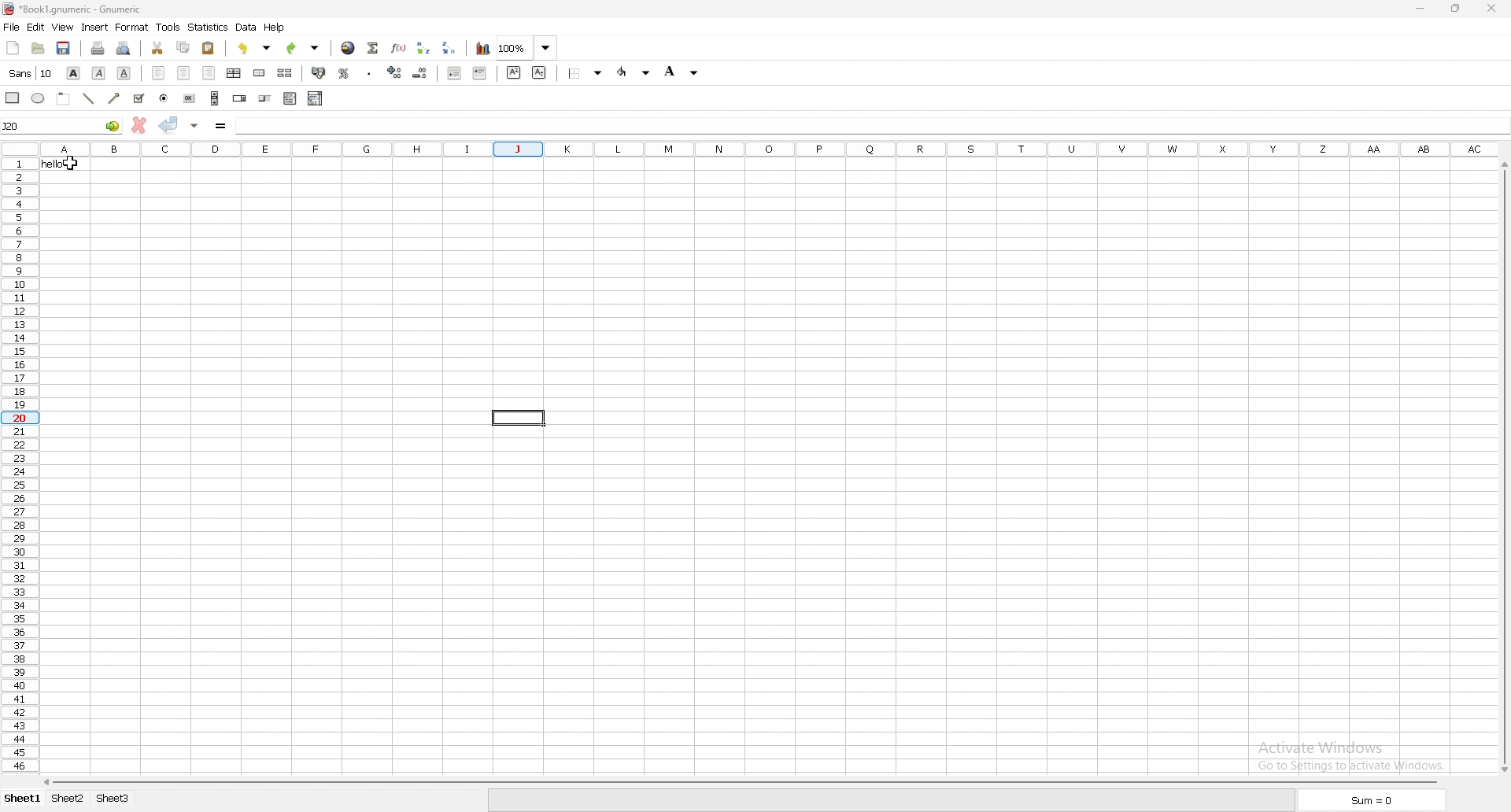 Image resolution: width=1511 pixels, height=812 pixels. What do you see at coordinates (207, 28) in the screenshot?
I see `statistics` at bounding box center [207, 28].